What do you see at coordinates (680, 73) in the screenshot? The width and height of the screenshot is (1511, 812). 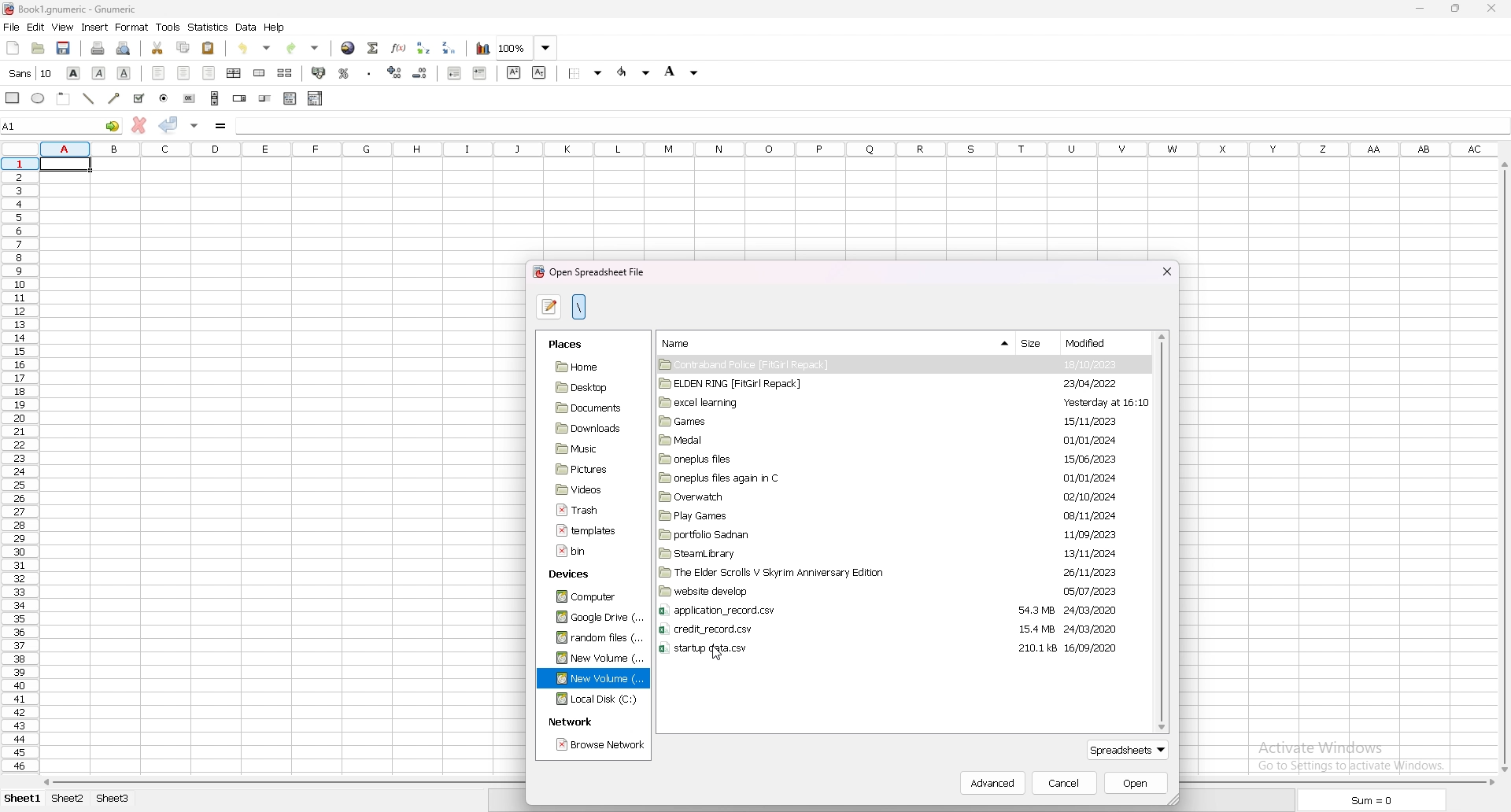 I see `background` at bounding box center [680, 73].